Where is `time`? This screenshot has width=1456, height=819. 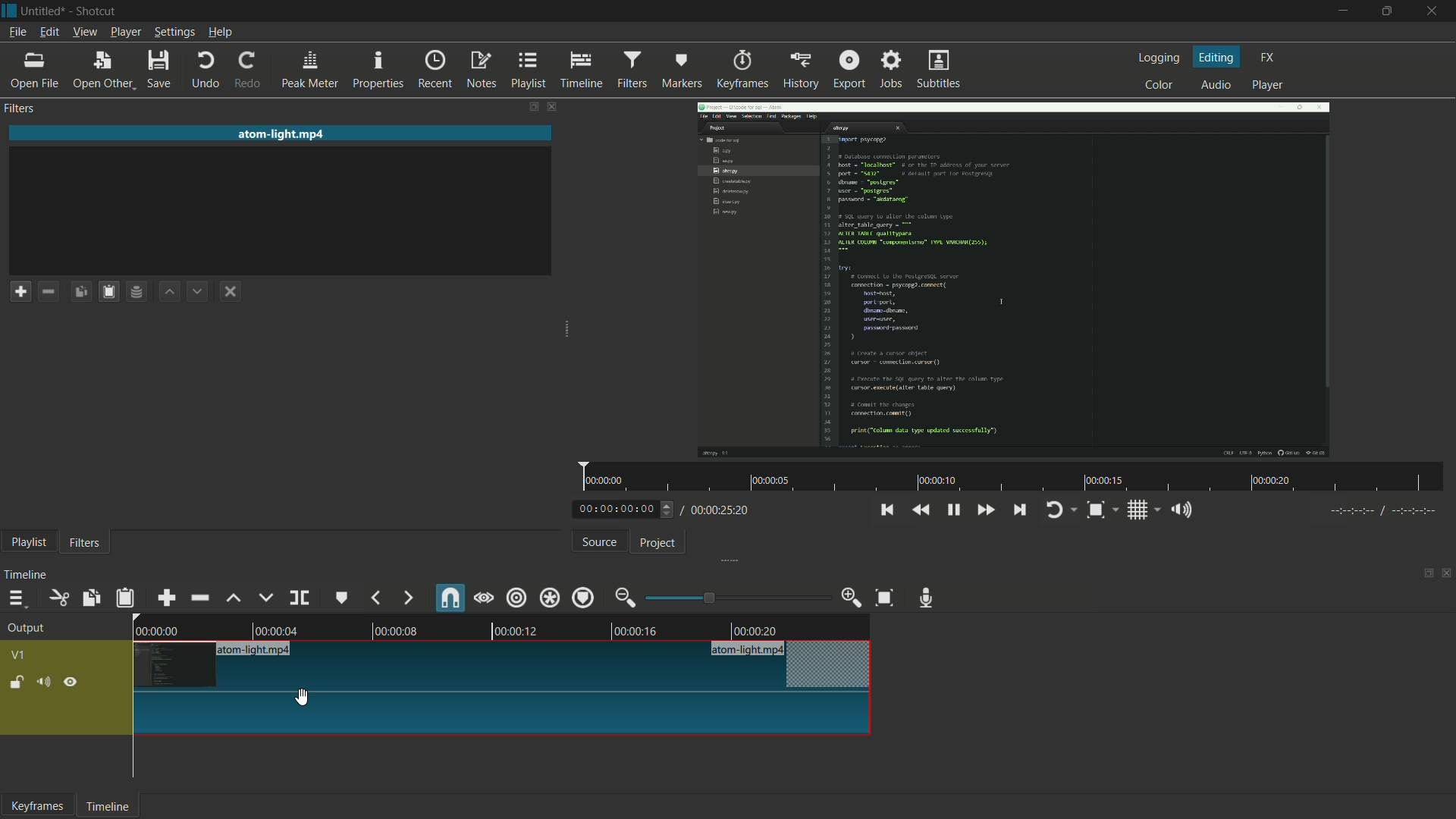 time is located at coordinates (1012, 475).